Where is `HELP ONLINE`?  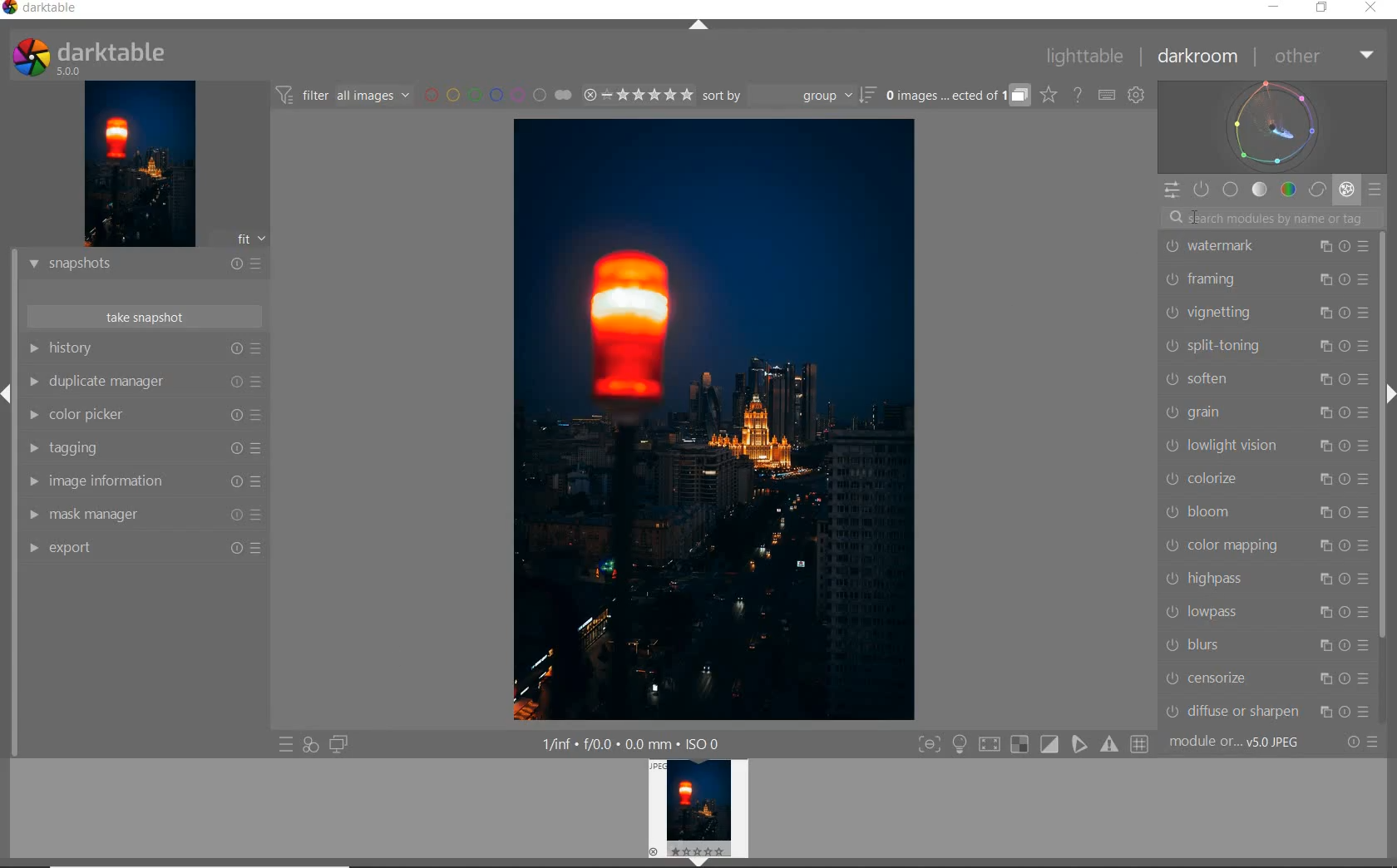 HELP ONLINE is located at coordinates (1077, 94).